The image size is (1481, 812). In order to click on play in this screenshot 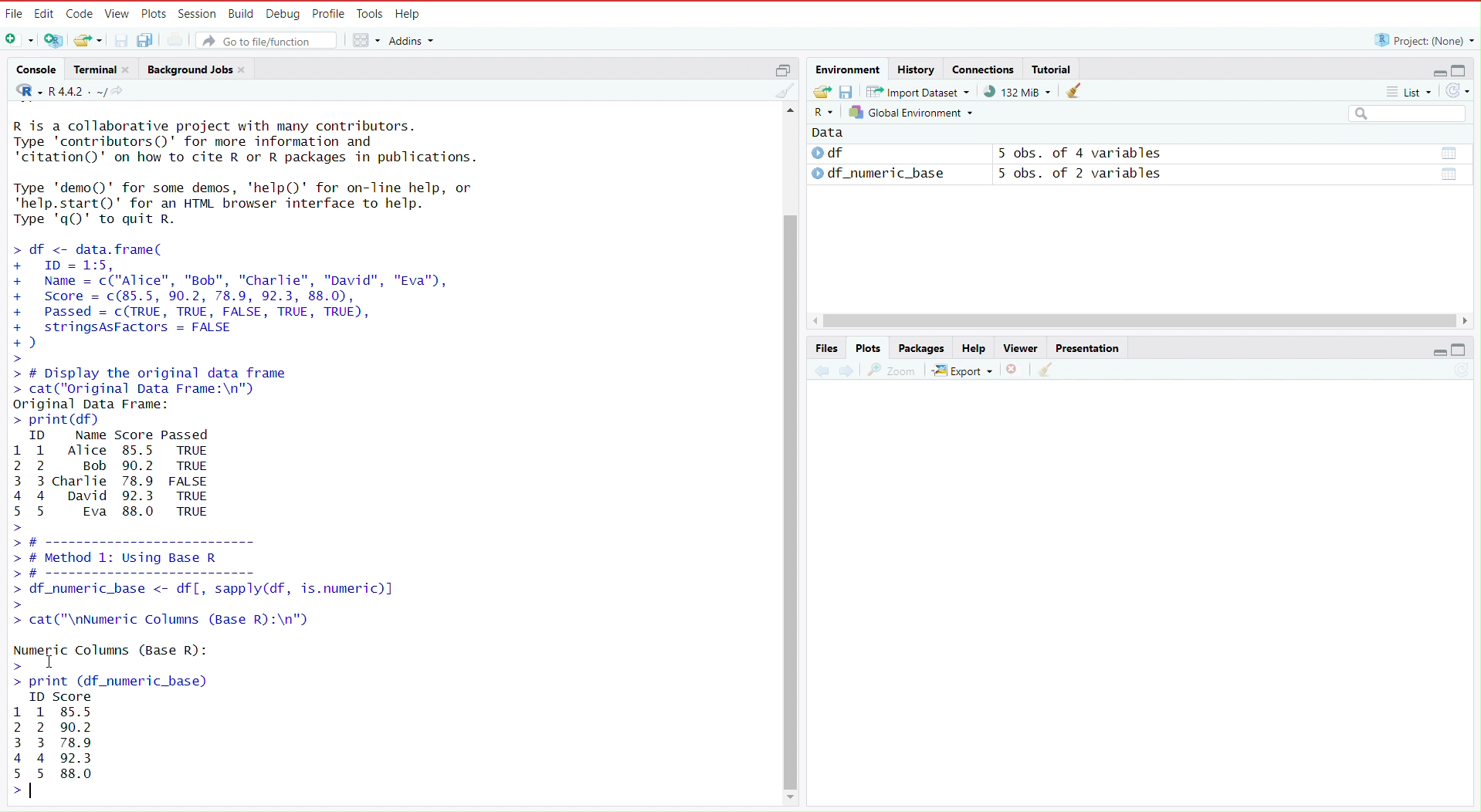, I will do `click(817, 174)`.